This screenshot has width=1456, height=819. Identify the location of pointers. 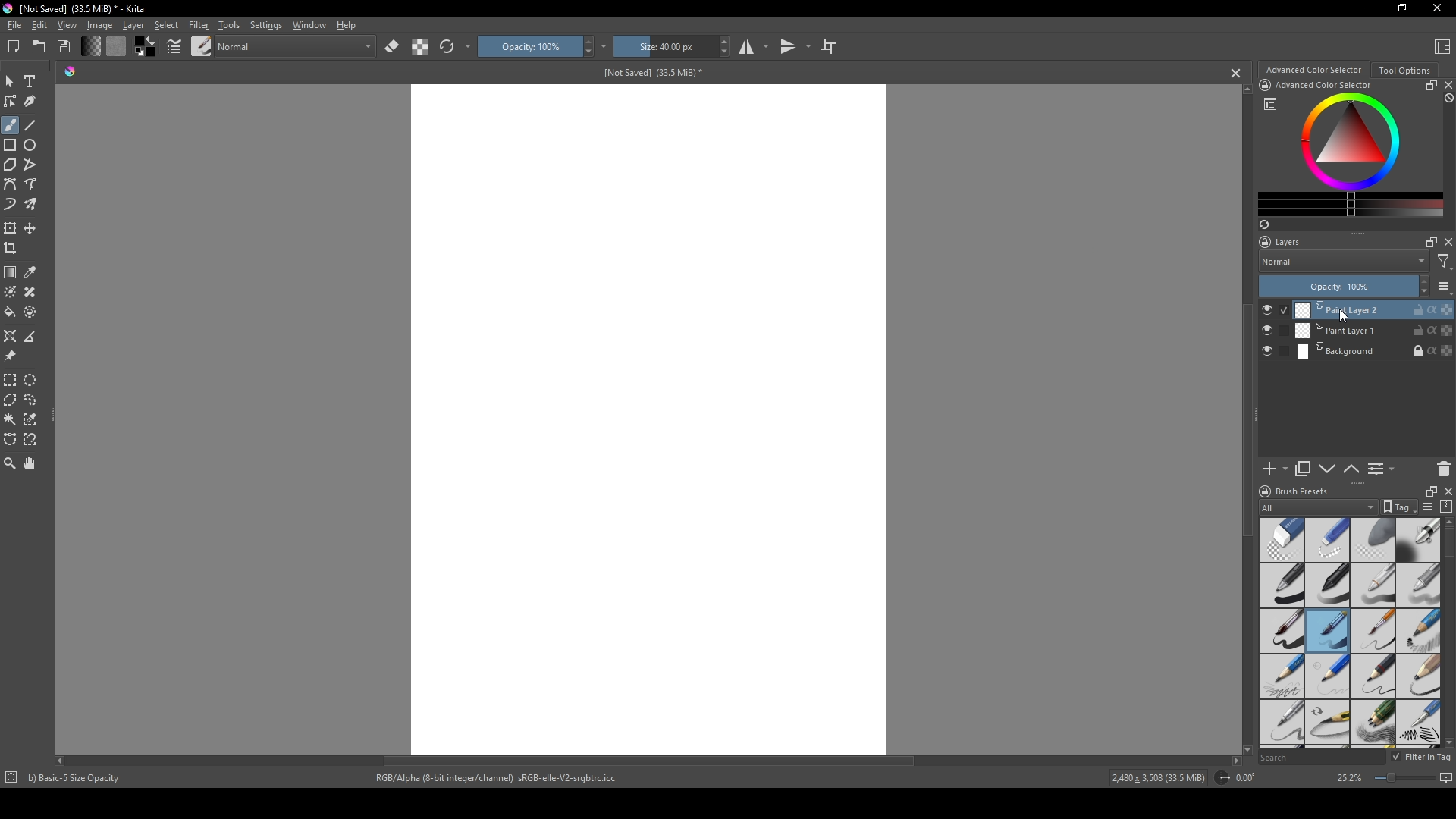
(174, 47).